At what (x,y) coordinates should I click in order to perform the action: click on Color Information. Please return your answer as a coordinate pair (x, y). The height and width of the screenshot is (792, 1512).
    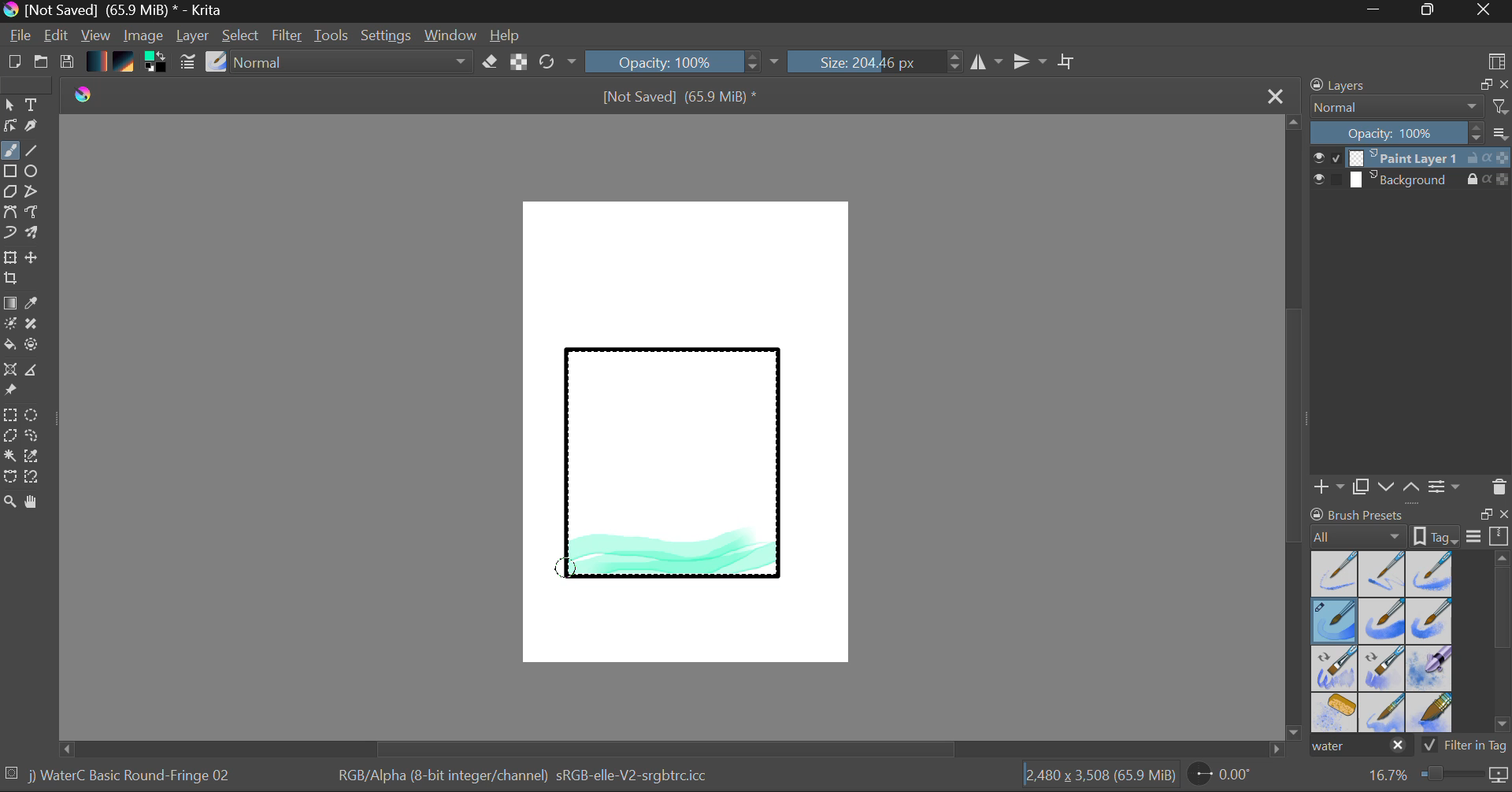
    Looking at the image, I should click on (521, 777).